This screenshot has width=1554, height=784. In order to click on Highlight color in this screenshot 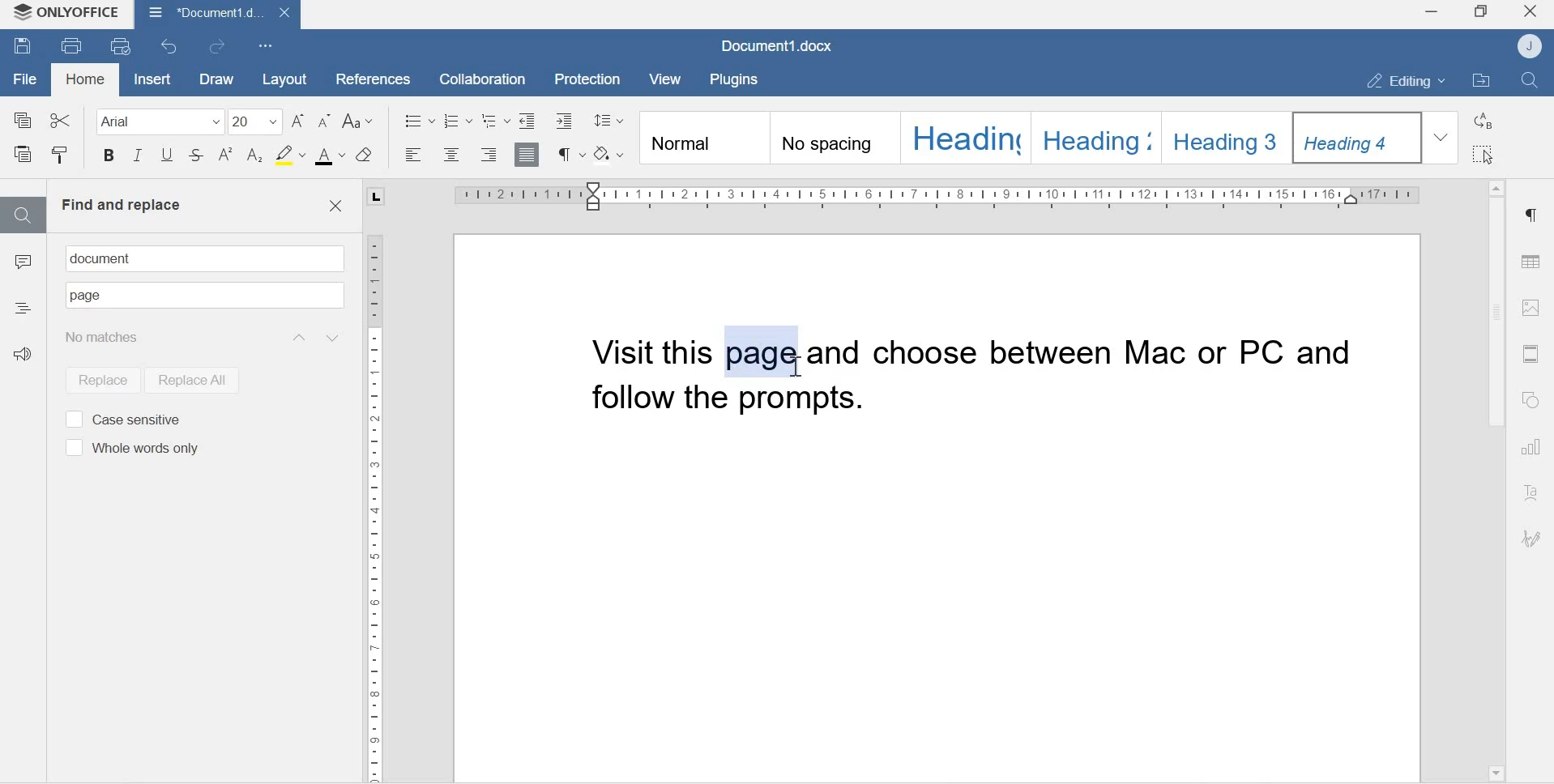, I will do `click(289, 154)`.